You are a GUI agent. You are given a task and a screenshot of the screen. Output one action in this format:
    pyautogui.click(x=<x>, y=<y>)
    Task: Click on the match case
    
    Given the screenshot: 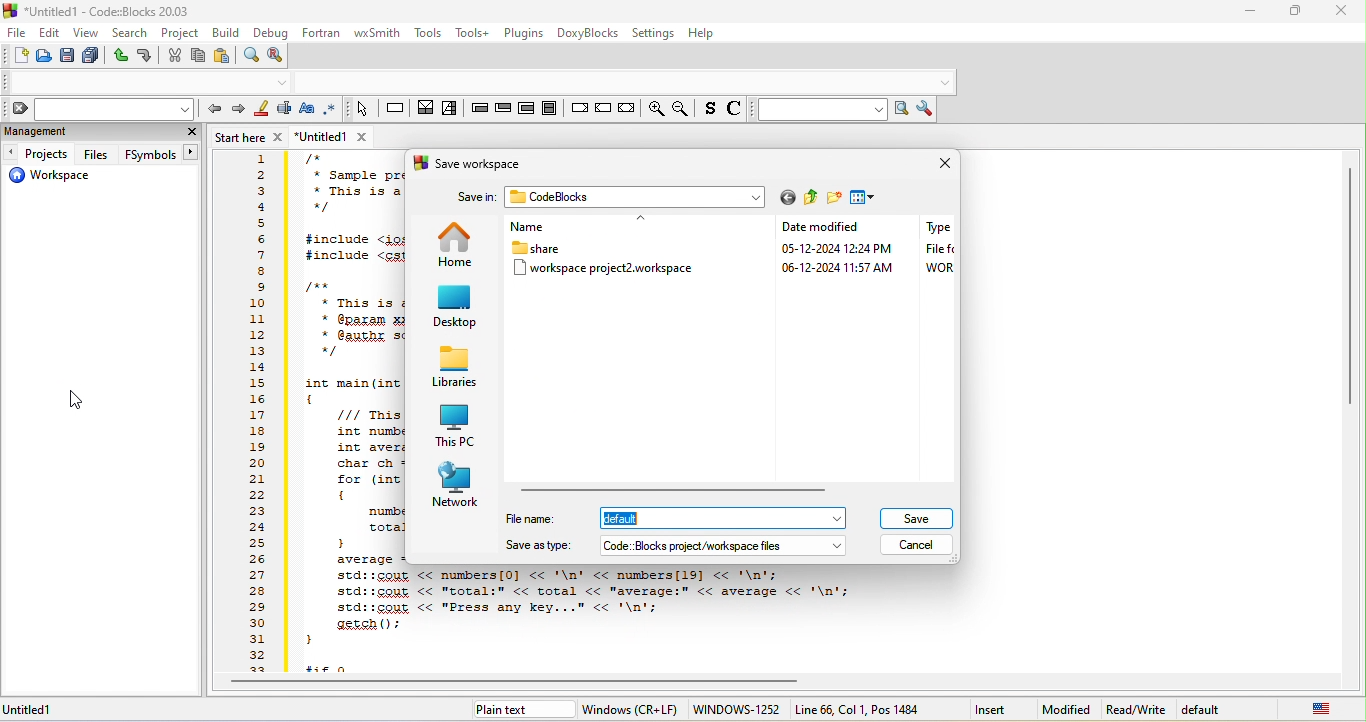 What is the action you would take?
    pyautogui.click(x=310, y=111)
    